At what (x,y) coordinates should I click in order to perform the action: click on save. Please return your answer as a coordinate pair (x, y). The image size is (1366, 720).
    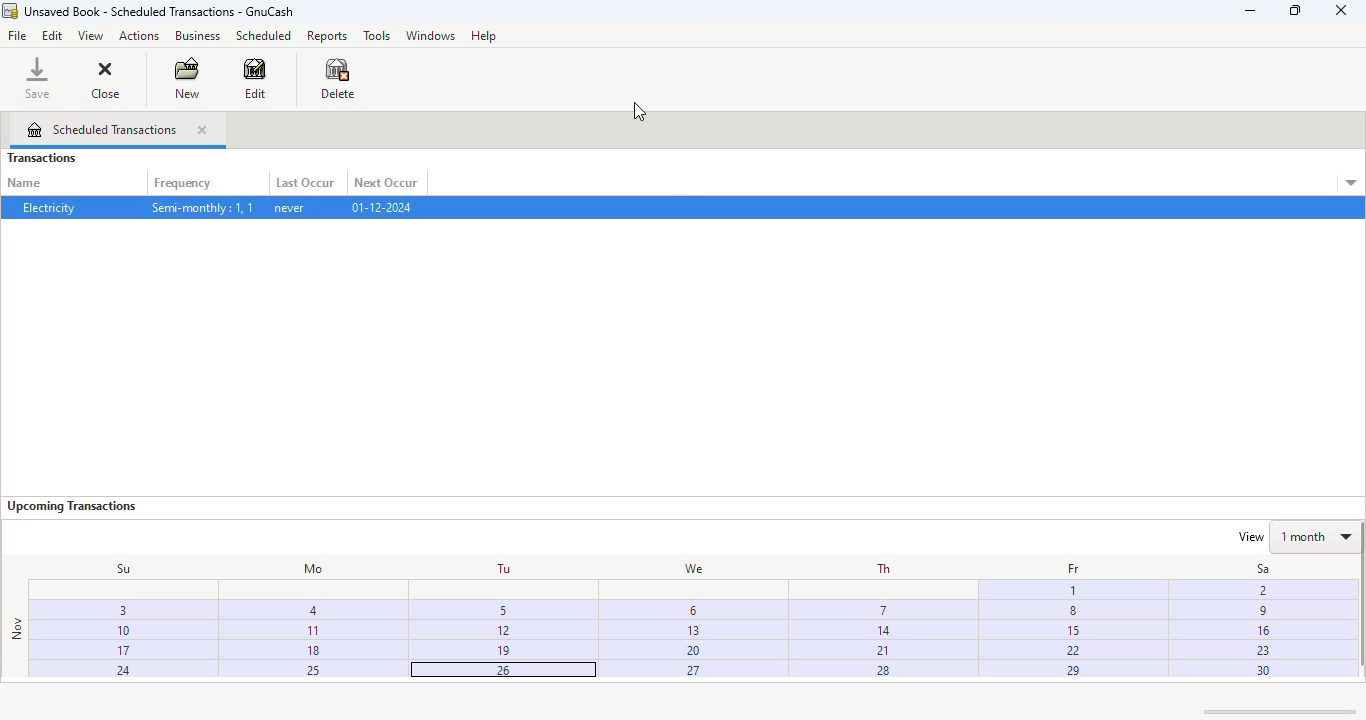
    Looking at the image, I should click on (38, 77).